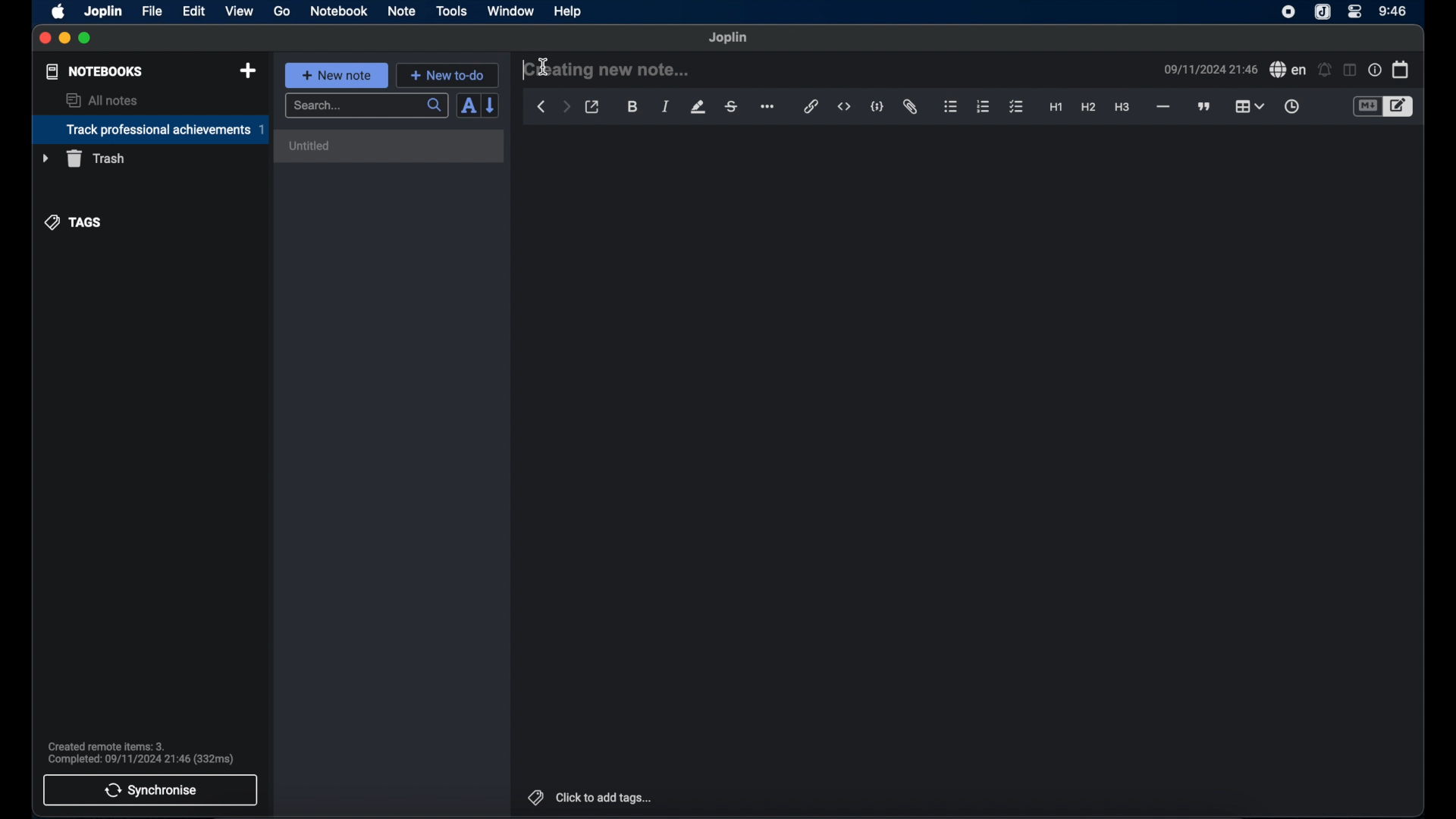  What do you see at coordinates (1348, 71) in the screenshot?
I see `toggle editor layout` at bounding box center [1348, 71].